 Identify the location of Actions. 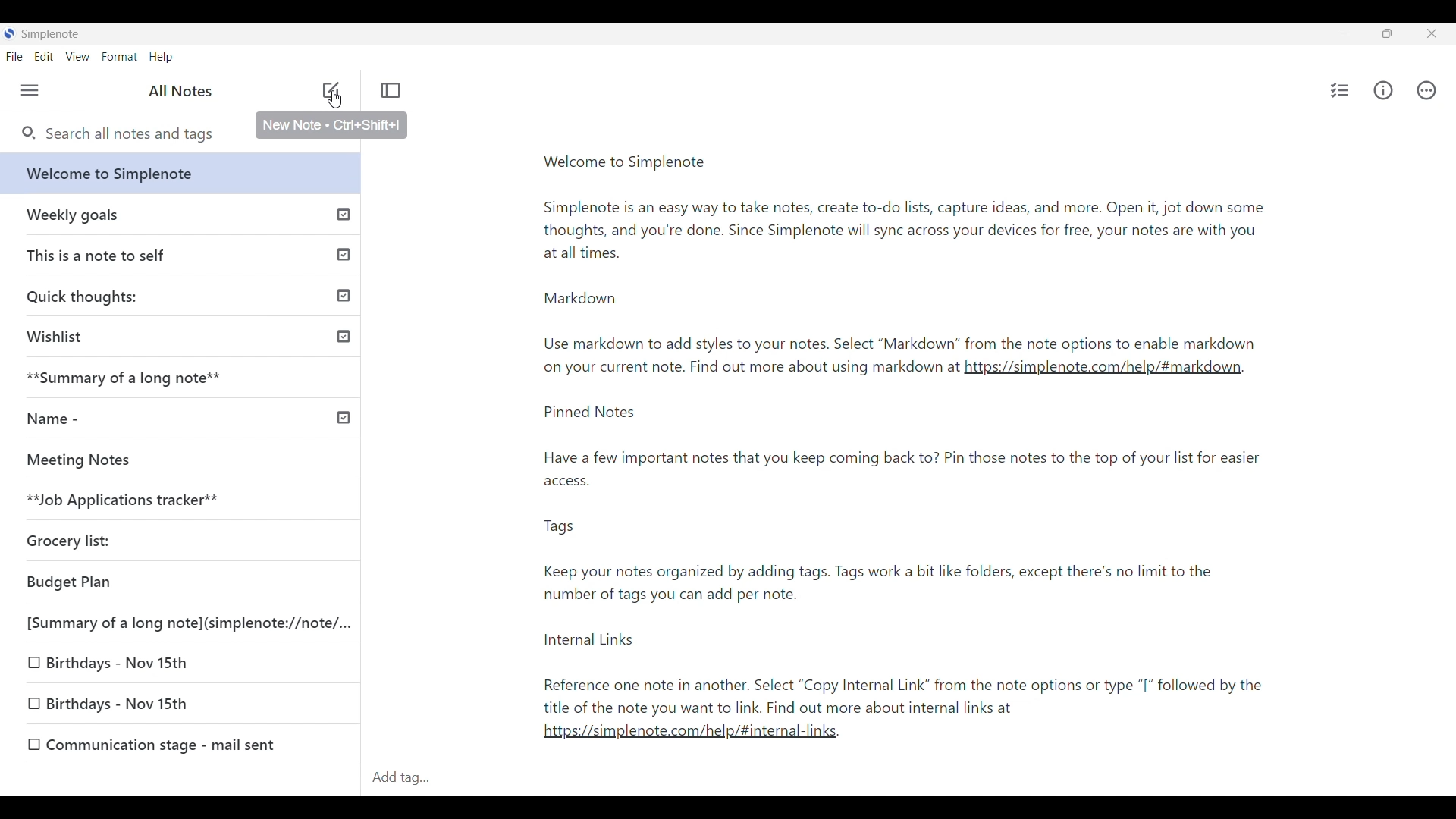
(1426, 90).